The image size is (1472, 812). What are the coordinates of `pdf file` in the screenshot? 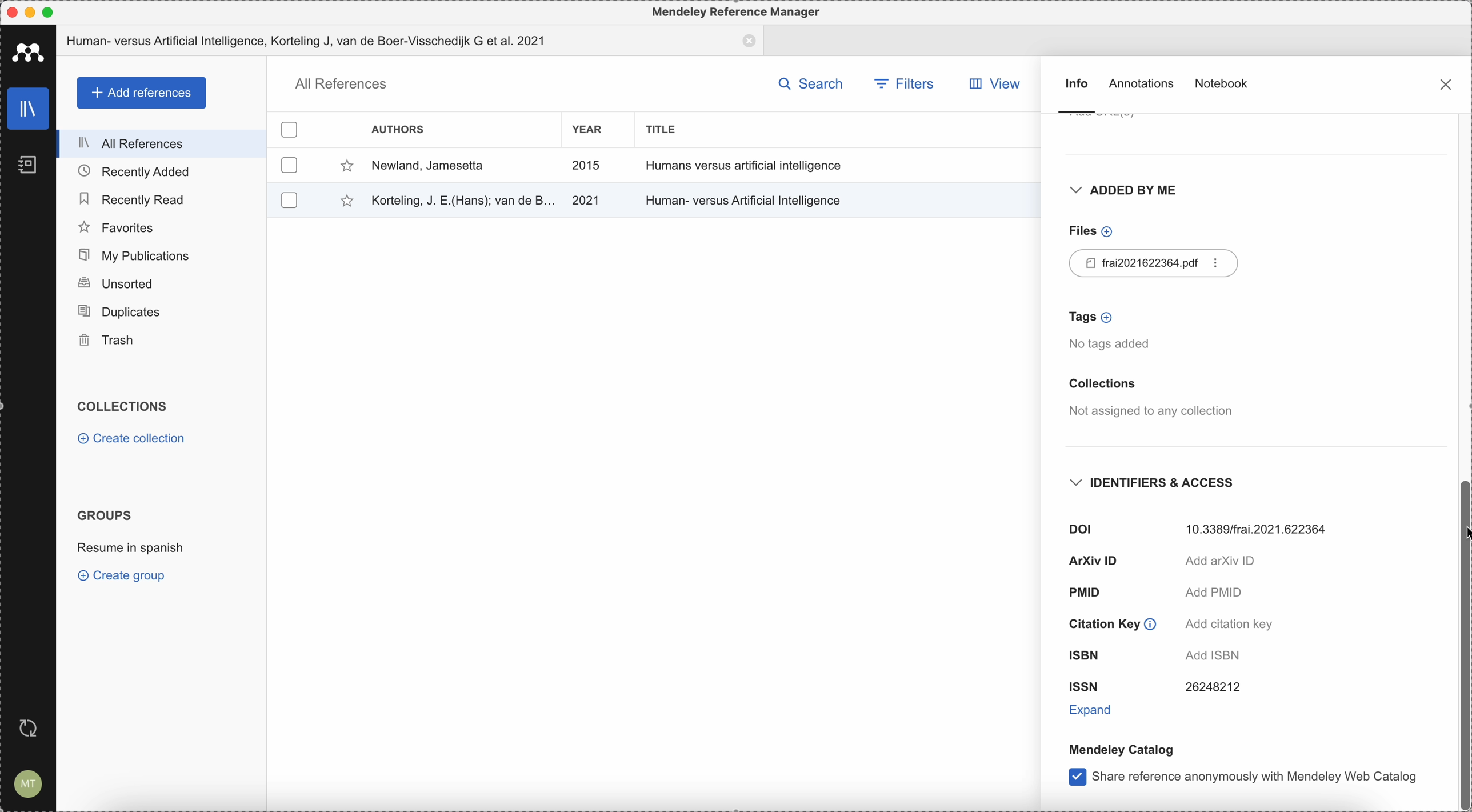 It's located at (1157, 263).